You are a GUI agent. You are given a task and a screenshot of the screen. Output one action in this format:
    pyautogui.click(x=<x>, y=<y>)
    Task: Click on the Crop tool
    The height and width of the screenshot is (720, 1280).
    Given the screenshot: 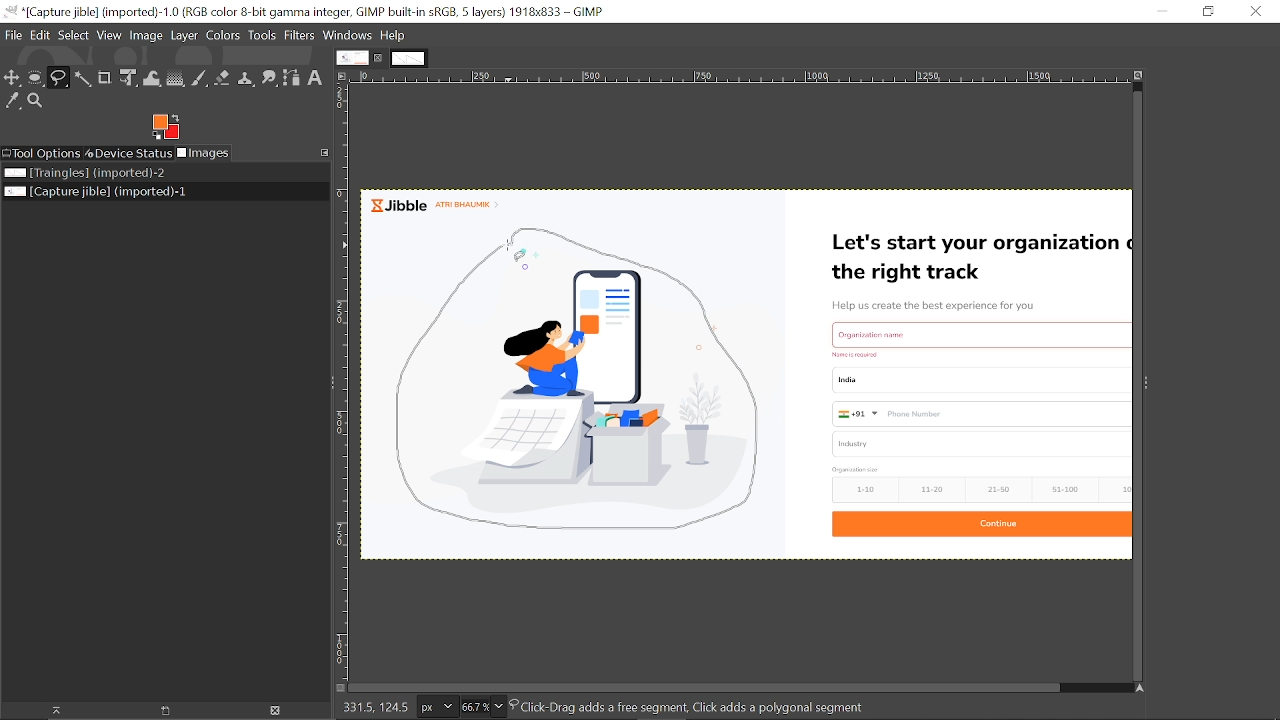 What is the action you would take?
    pyautogui.click(x=105, y=77)
    